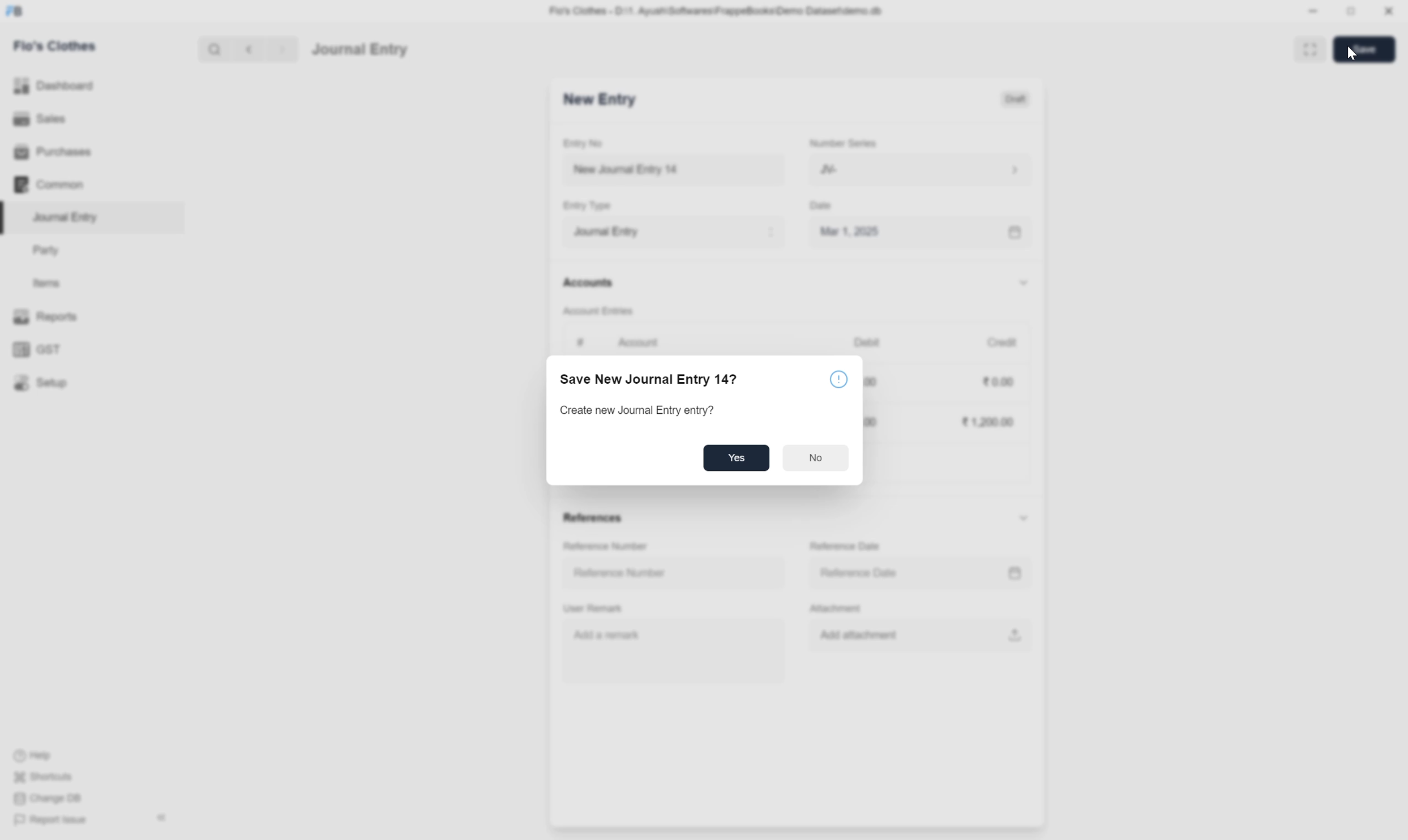 The width and height of the screenshot is (1408, 840). I want to click on Create new Journal Entry entry?, so click(639, 410).